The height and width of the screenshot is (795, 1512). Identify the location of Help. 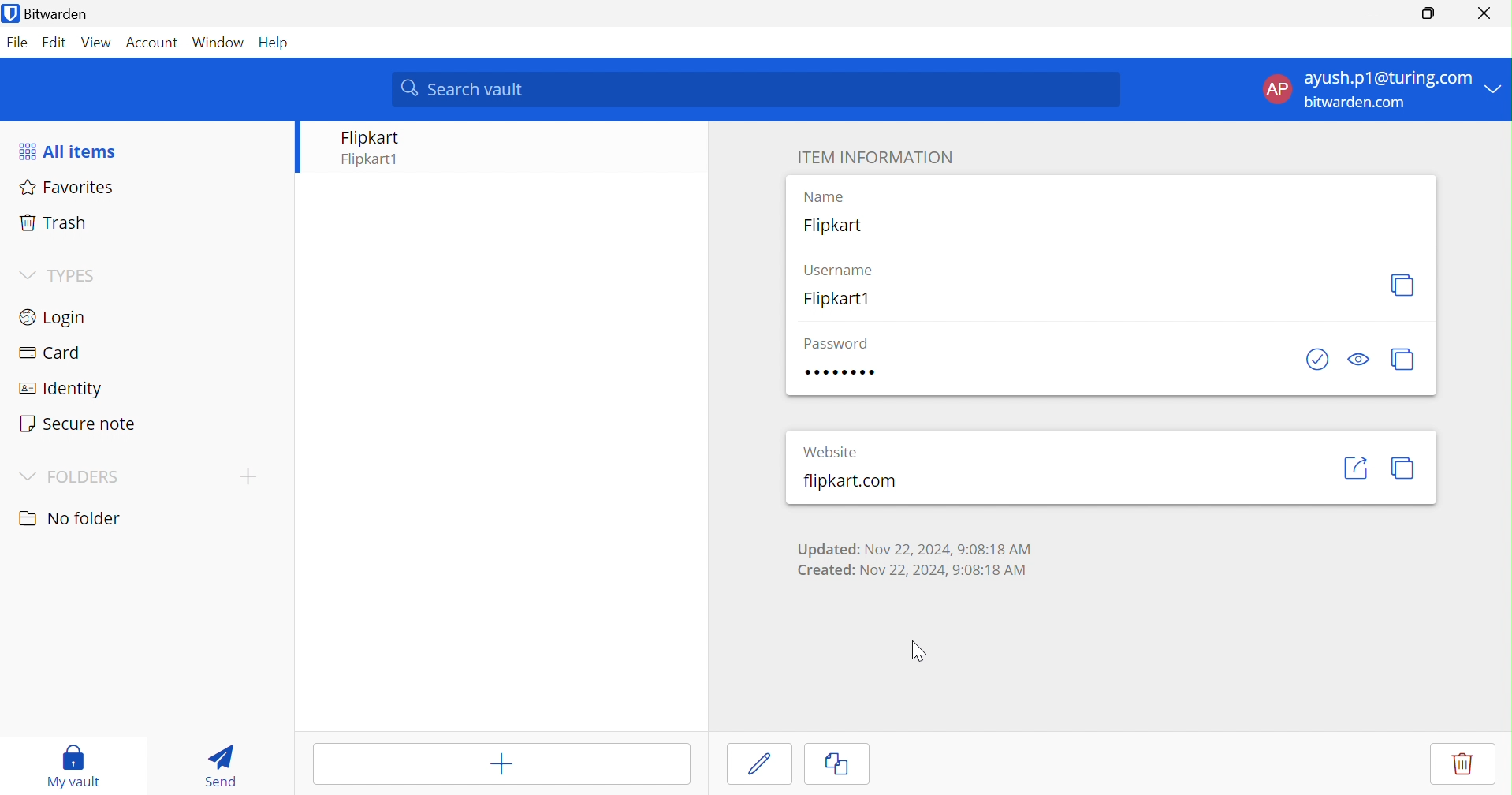
(278, 43).